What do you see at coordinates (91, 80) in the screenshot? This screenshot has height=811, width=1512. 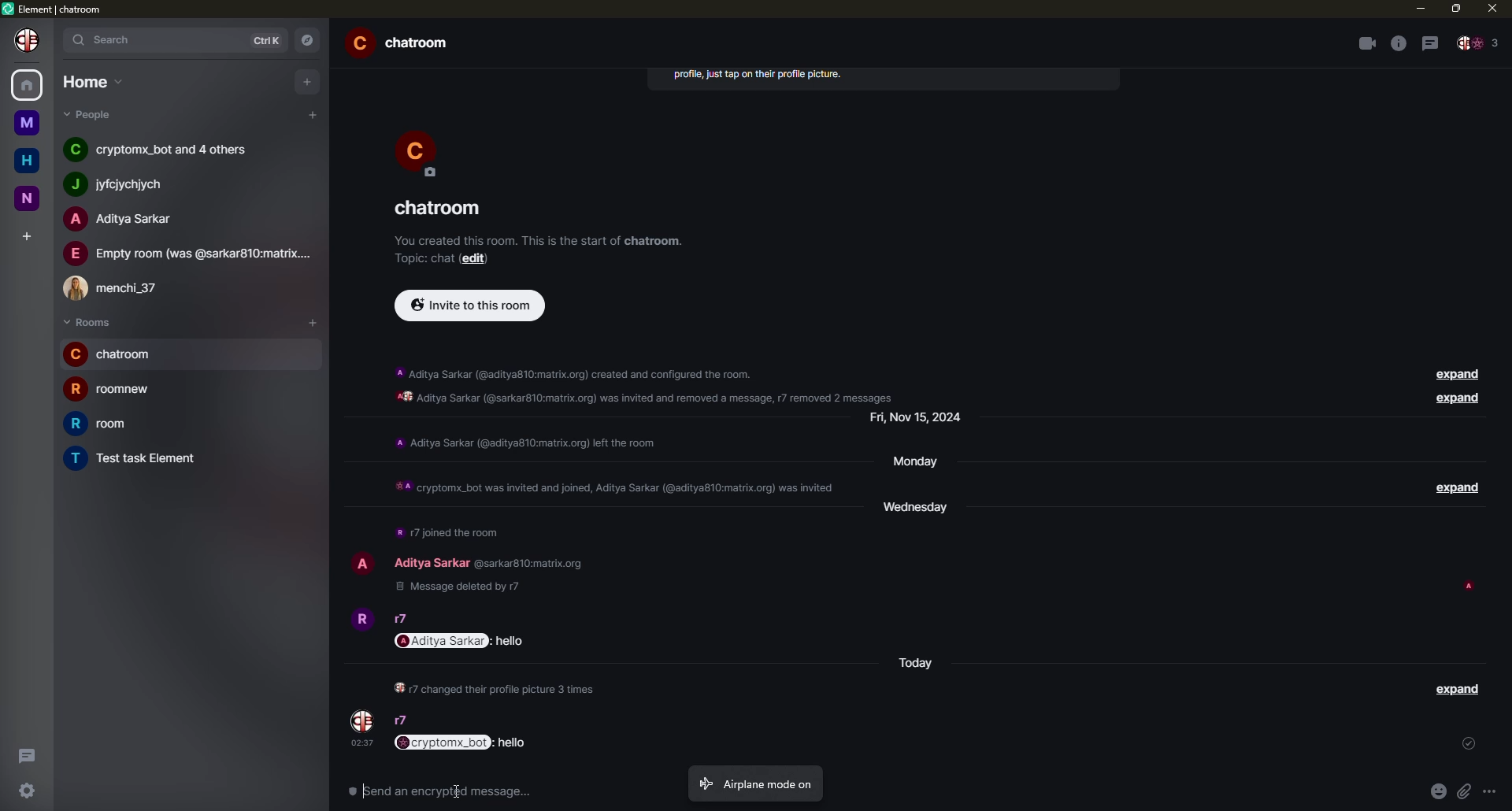 I see `home` at bounding box center [91, 80].